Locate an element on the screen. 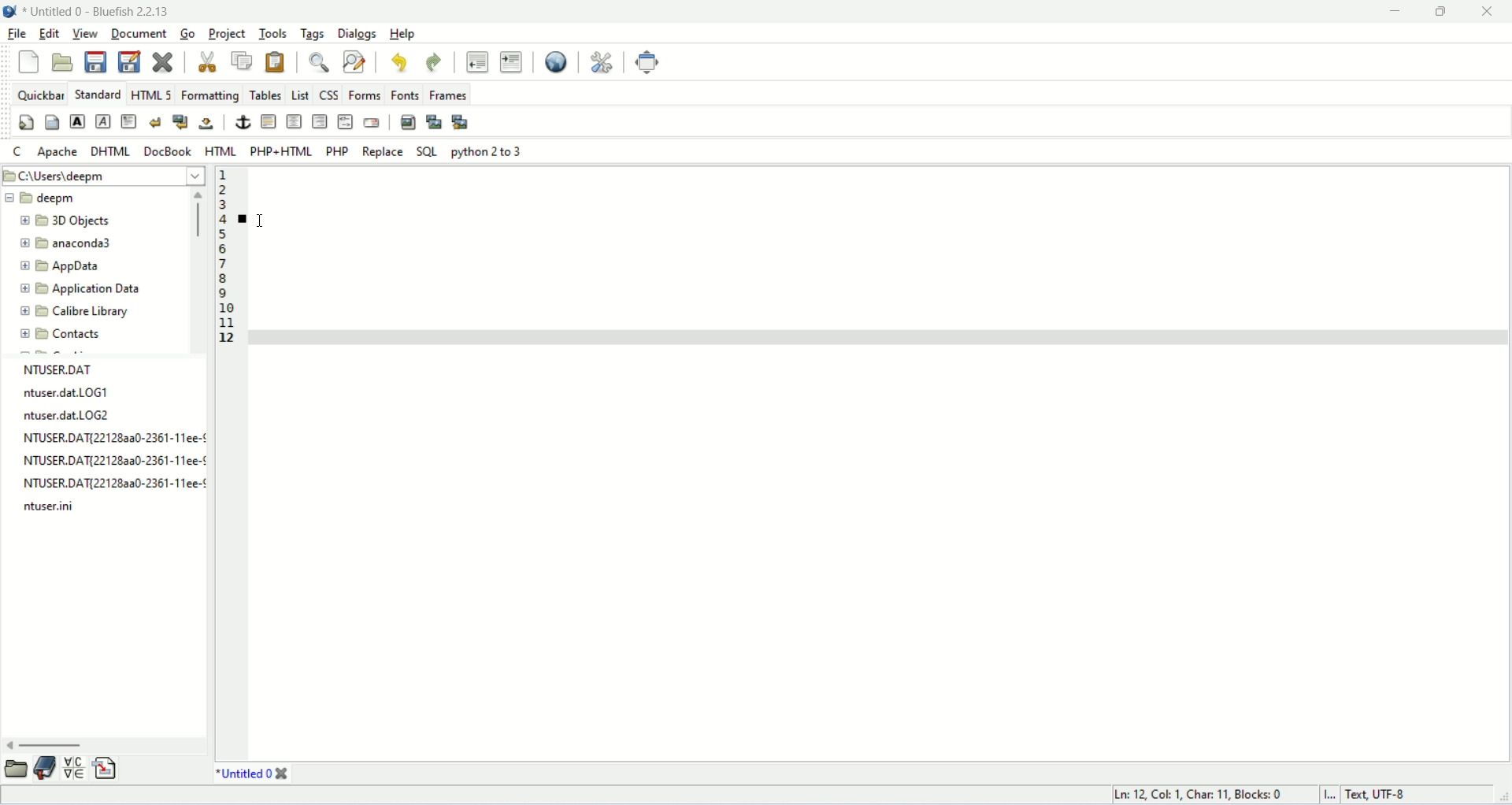 Image resolution: width=1512 pixels, height=805 pixels. preview in browser is located at coordinates (555, 62).